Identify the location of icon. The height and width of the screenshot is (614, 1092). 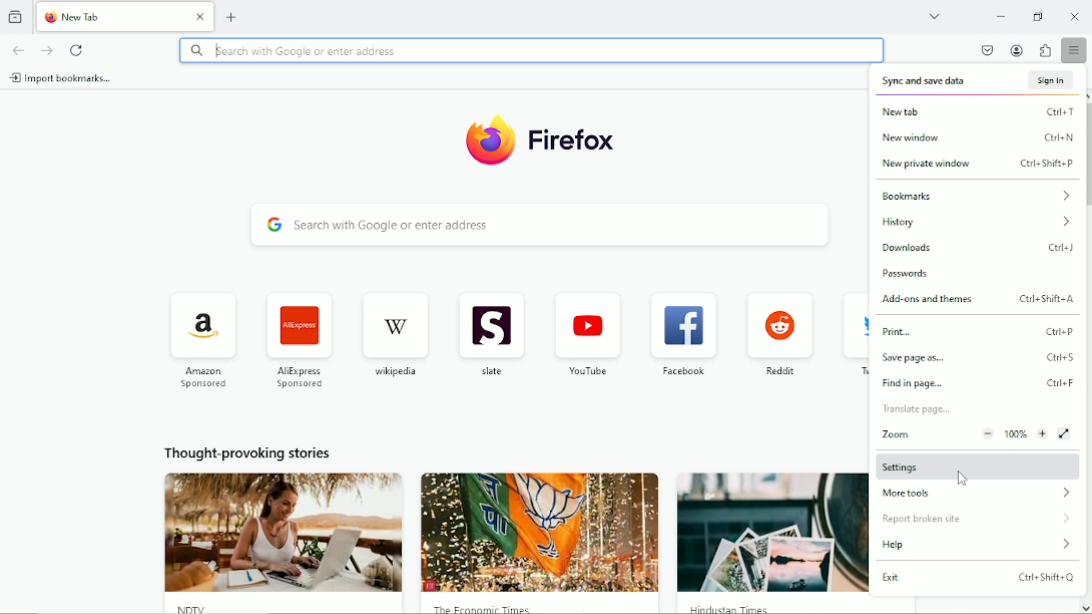
(587, 323).